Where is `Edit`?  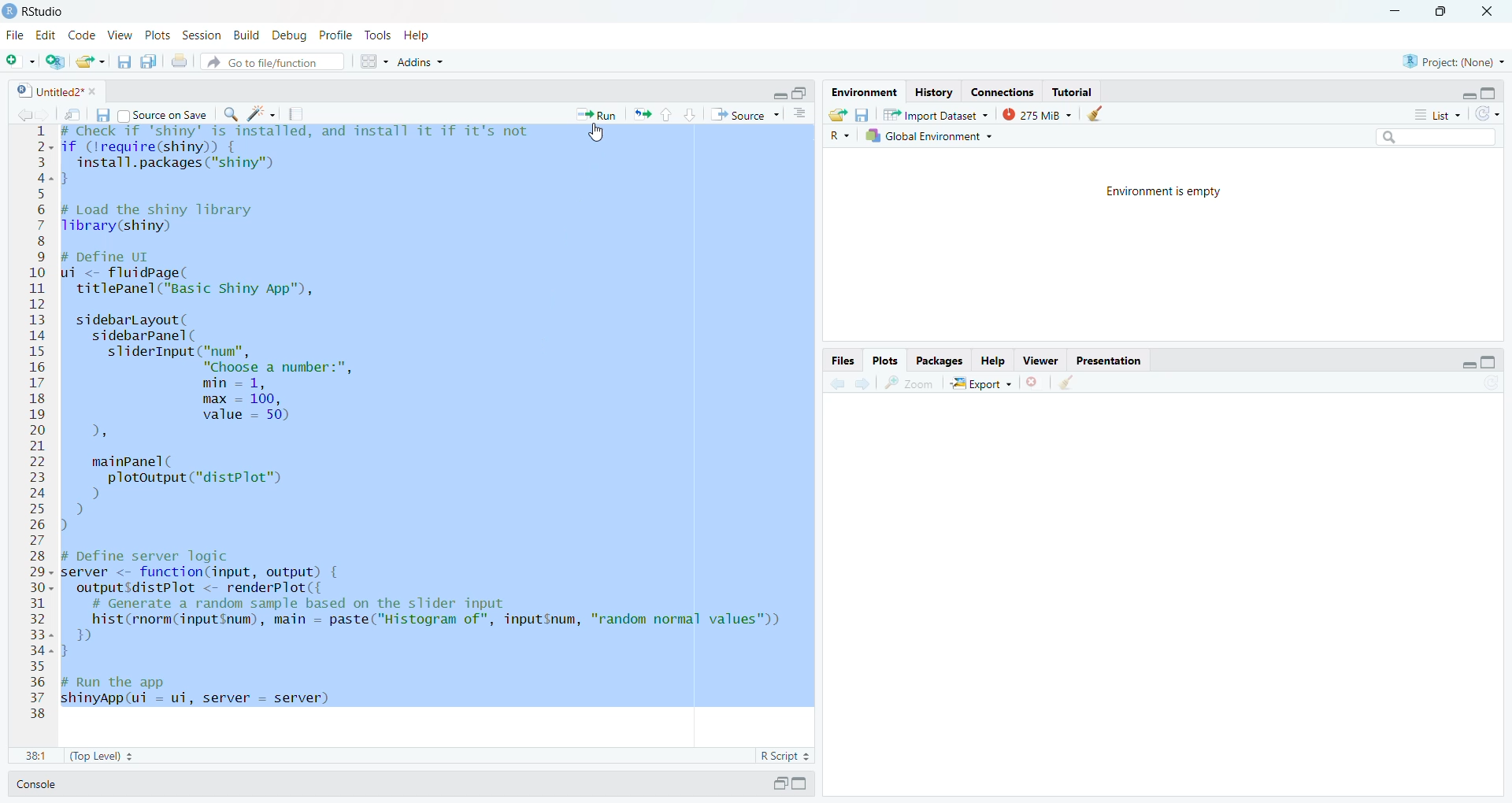 Edit is located at coordinates (46, 36).